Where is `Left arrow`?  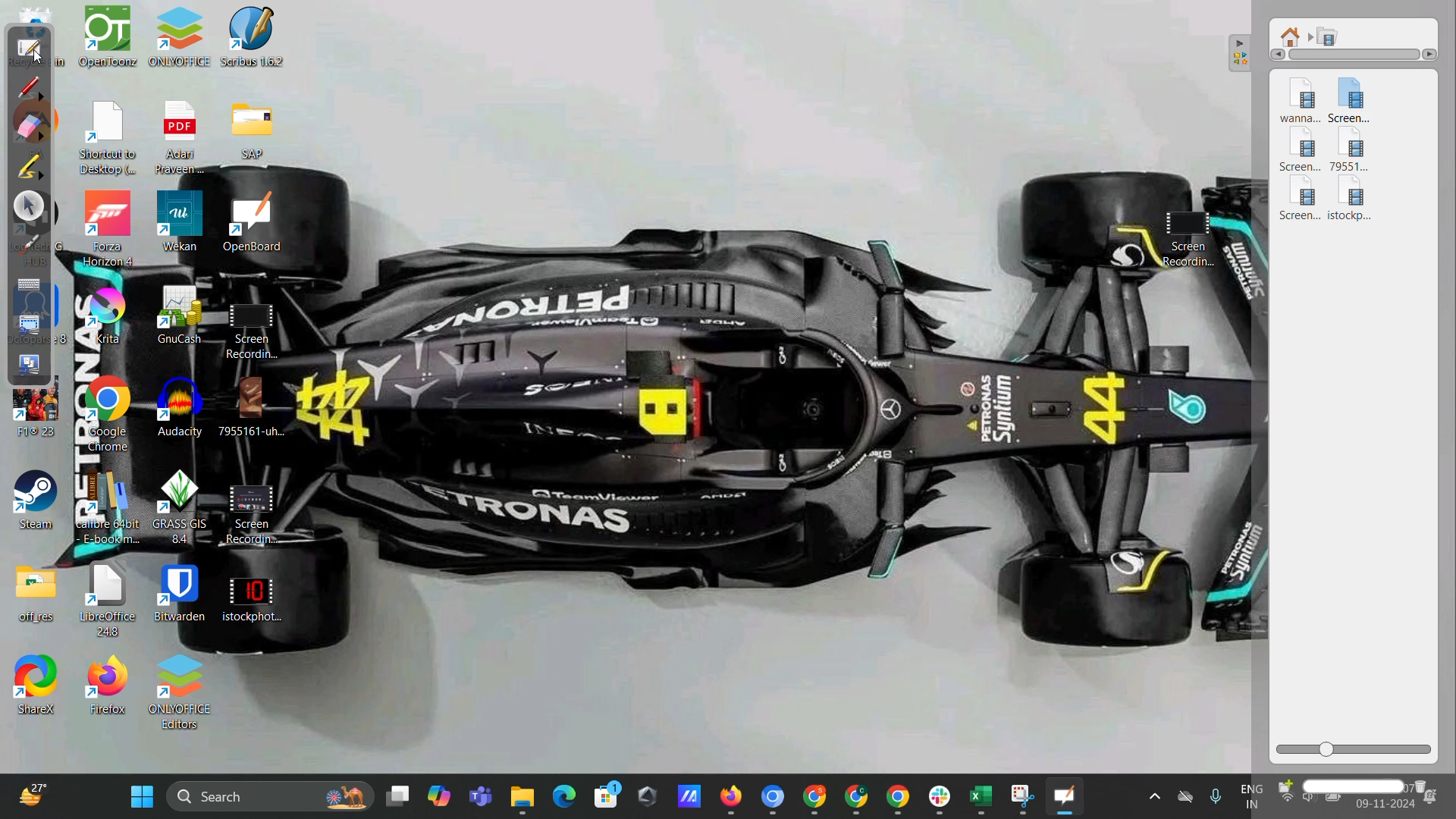 Left arrow is located at coordinates (1277, 57).